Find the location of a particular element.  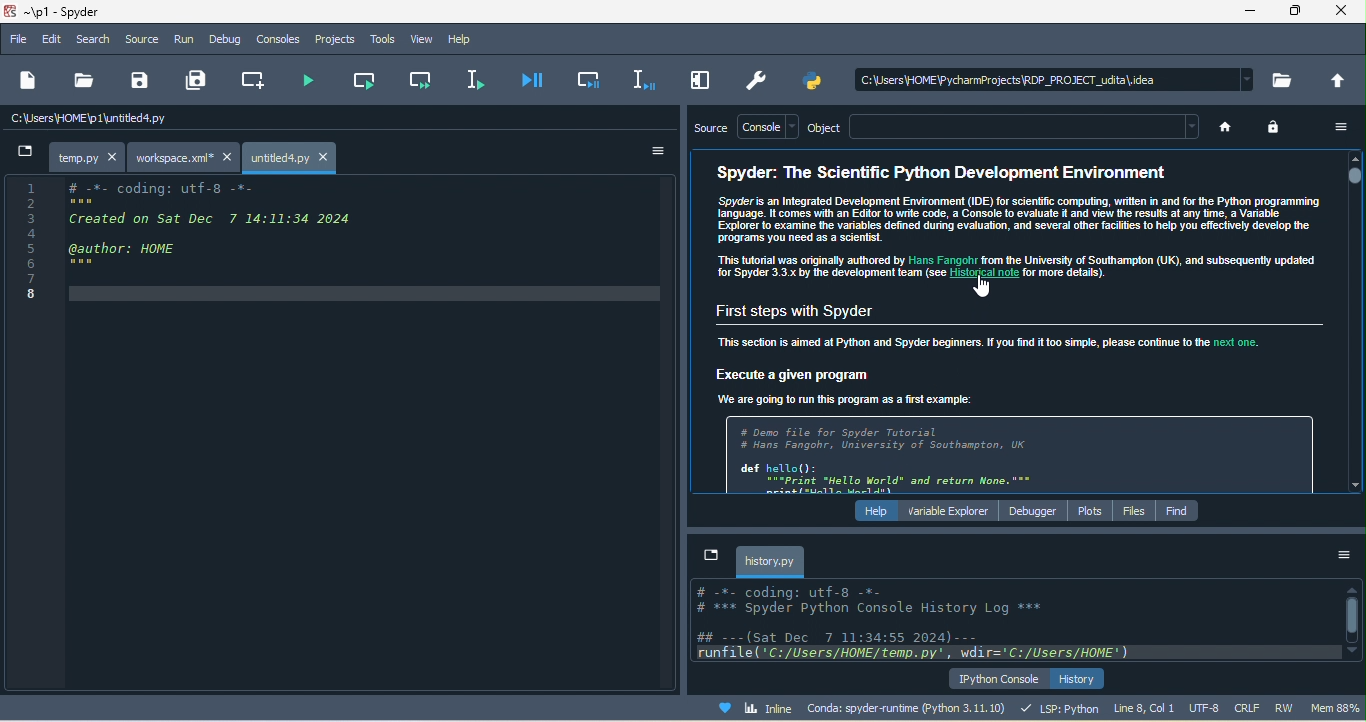

files is located at coordinates (1133, 512).